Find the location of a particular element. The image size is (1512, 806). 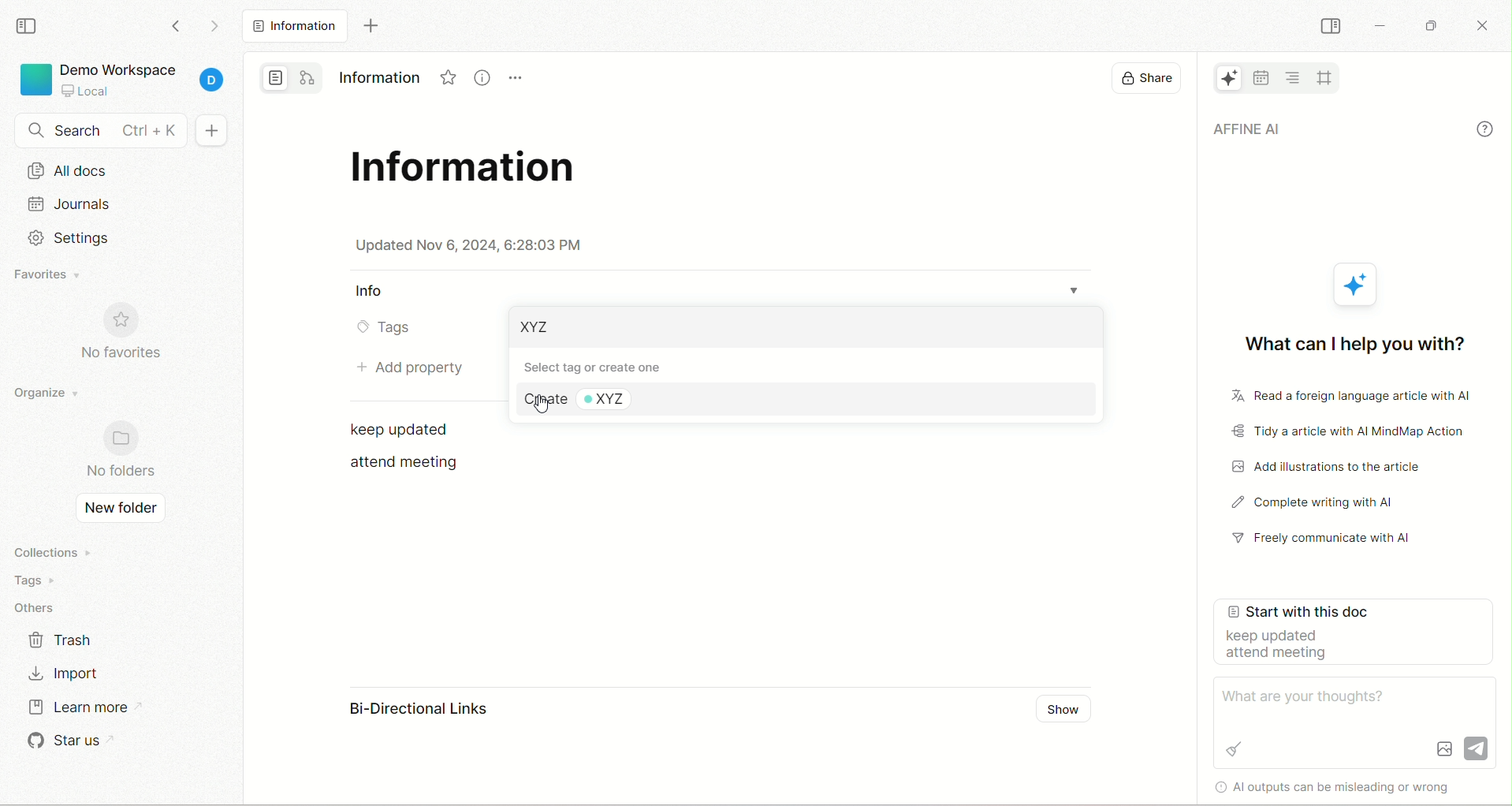

select tag or create one is located at coordinates (605, 366).